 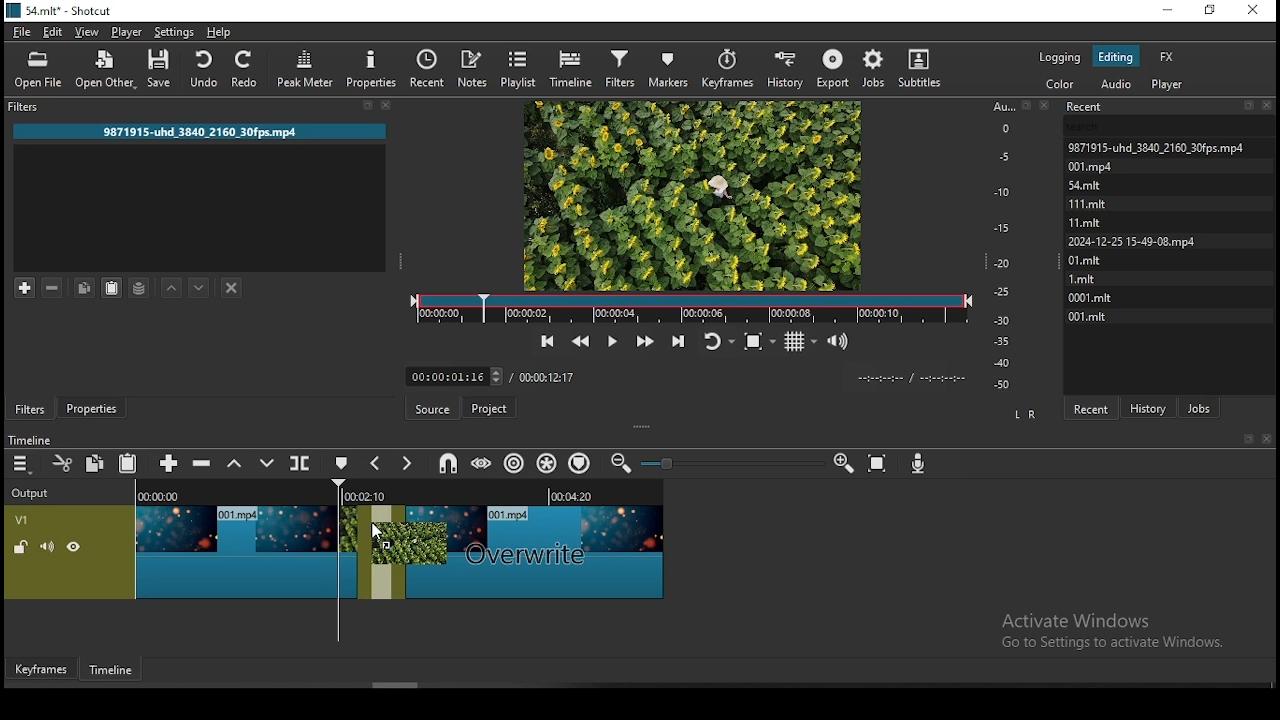 What do you see at coordinates (173, 286) in the screenshot?
I see `move filter up` at bounding box center [173, 286].